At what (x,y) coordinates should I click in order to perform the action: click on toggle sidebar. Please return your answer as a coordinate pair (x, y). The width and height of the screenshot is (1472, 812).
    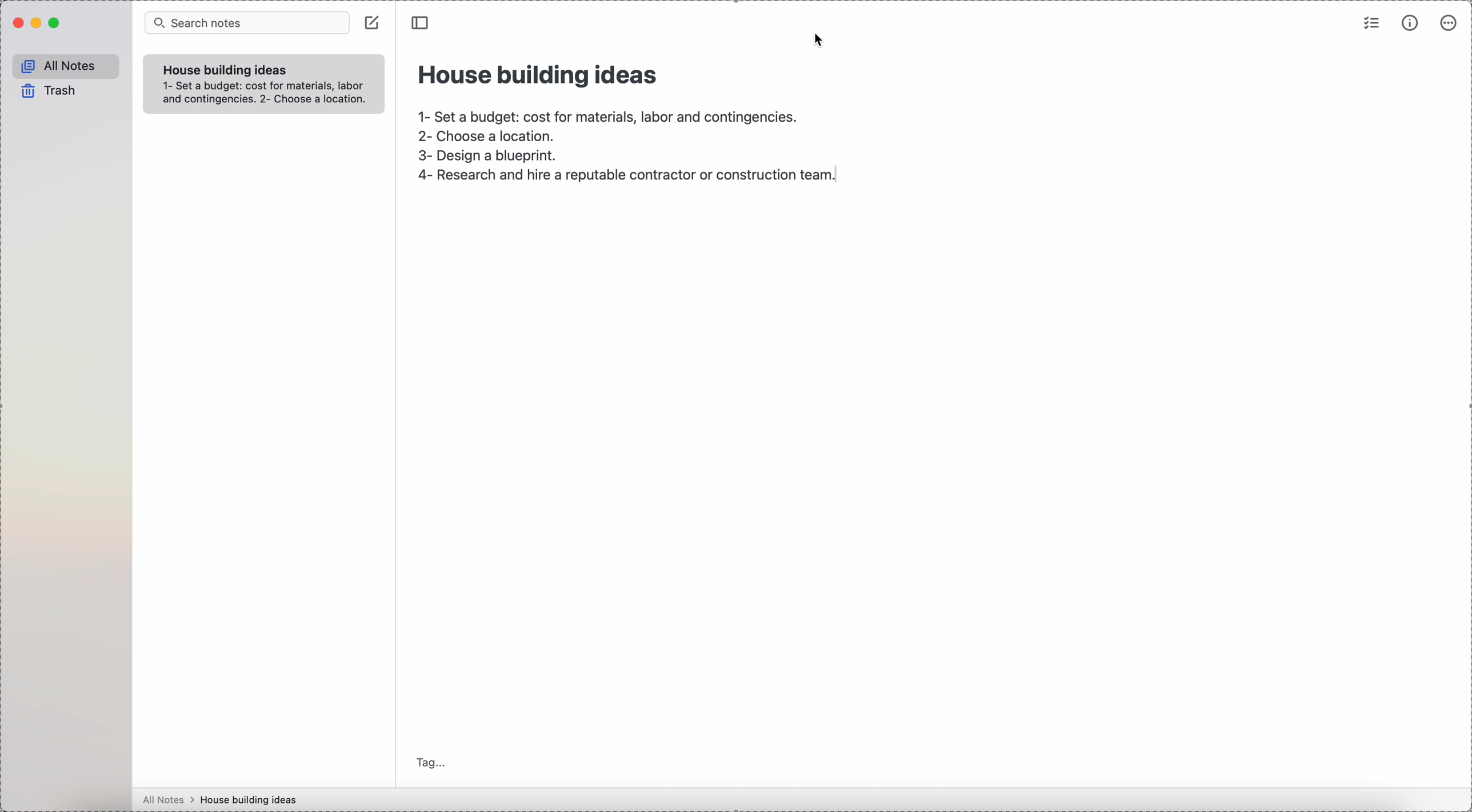
    Looking at the image, I should click on (422, 23).